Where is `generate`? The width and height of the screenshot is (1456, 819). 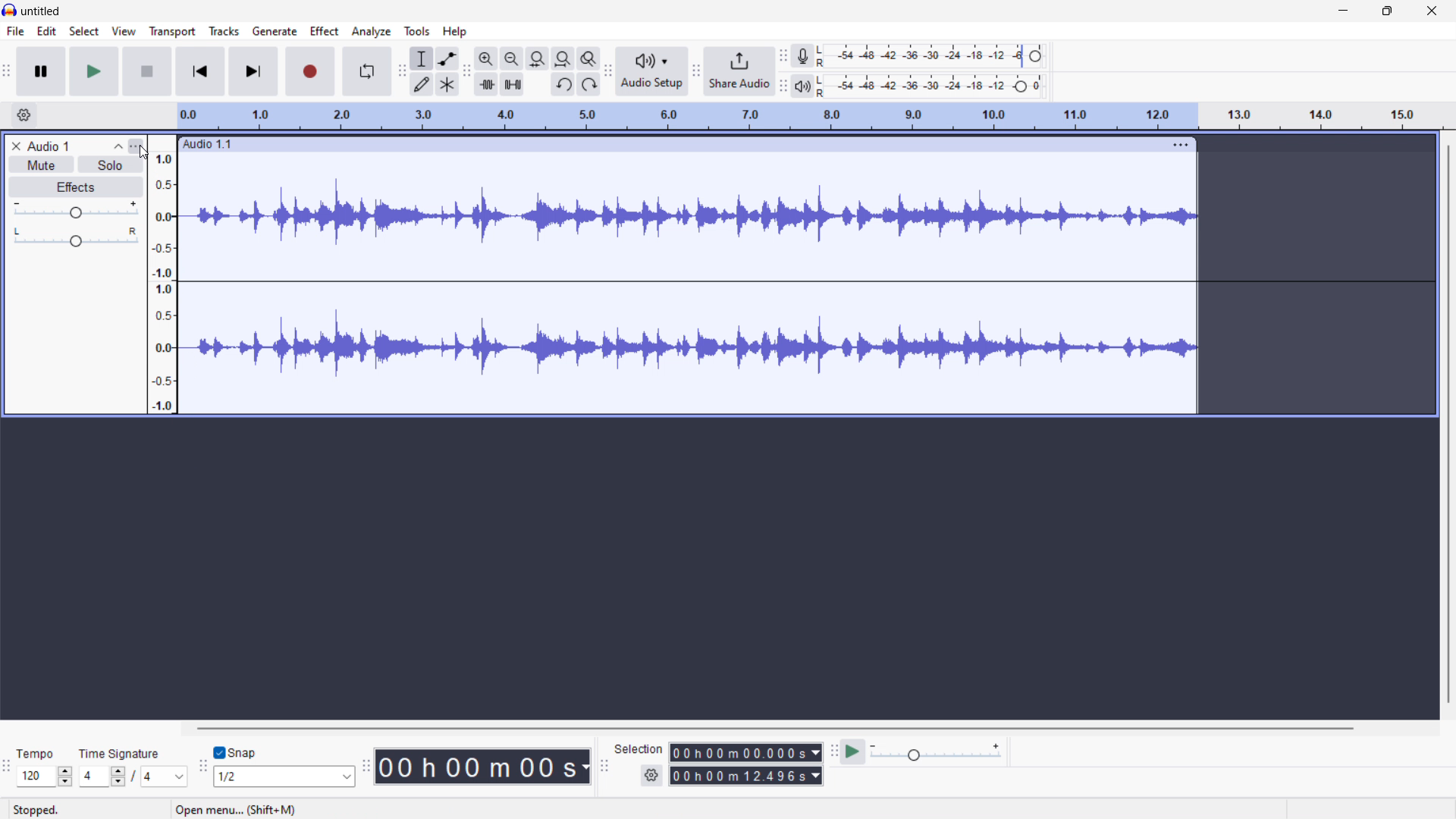
generate is located at coordinates (275, 31).